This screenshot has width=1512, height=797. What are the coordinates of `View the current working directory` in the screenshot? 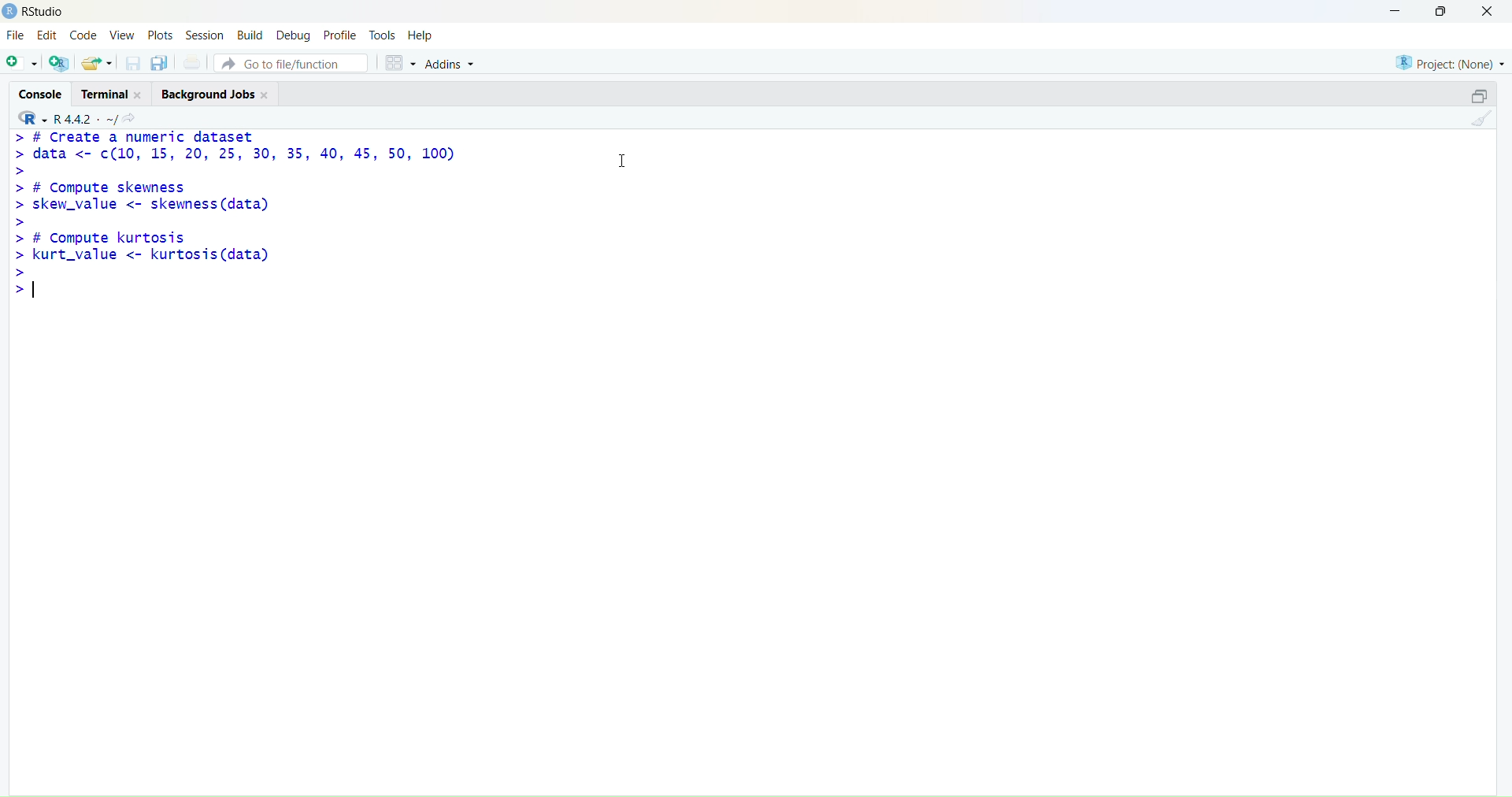 It's located at (134, 117).